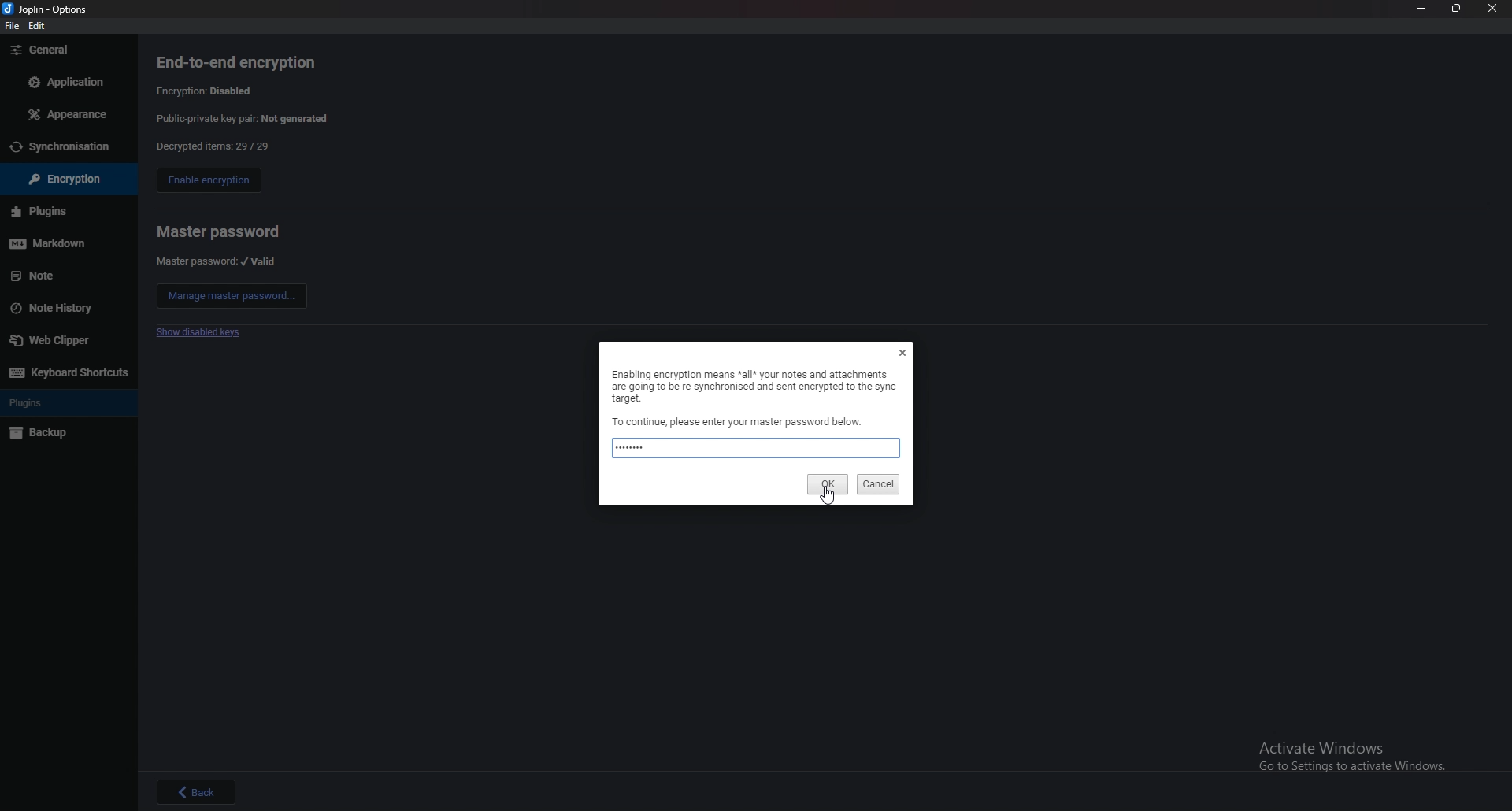 The height and width of the screenshot is (811, 1512). Describe the element at coordinates (198, 334) in the screenshot. I see `show disabled keys` at that location.